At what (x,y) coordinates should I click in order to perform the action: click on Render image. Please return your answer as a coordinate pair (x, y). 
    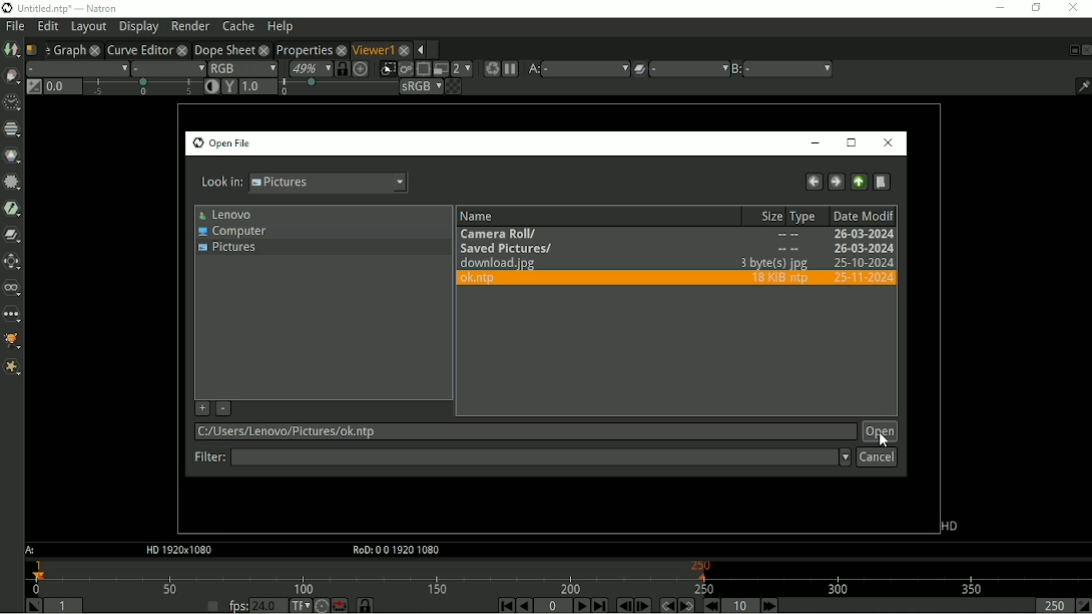
    Looking at the image, I should click on (405, 69).